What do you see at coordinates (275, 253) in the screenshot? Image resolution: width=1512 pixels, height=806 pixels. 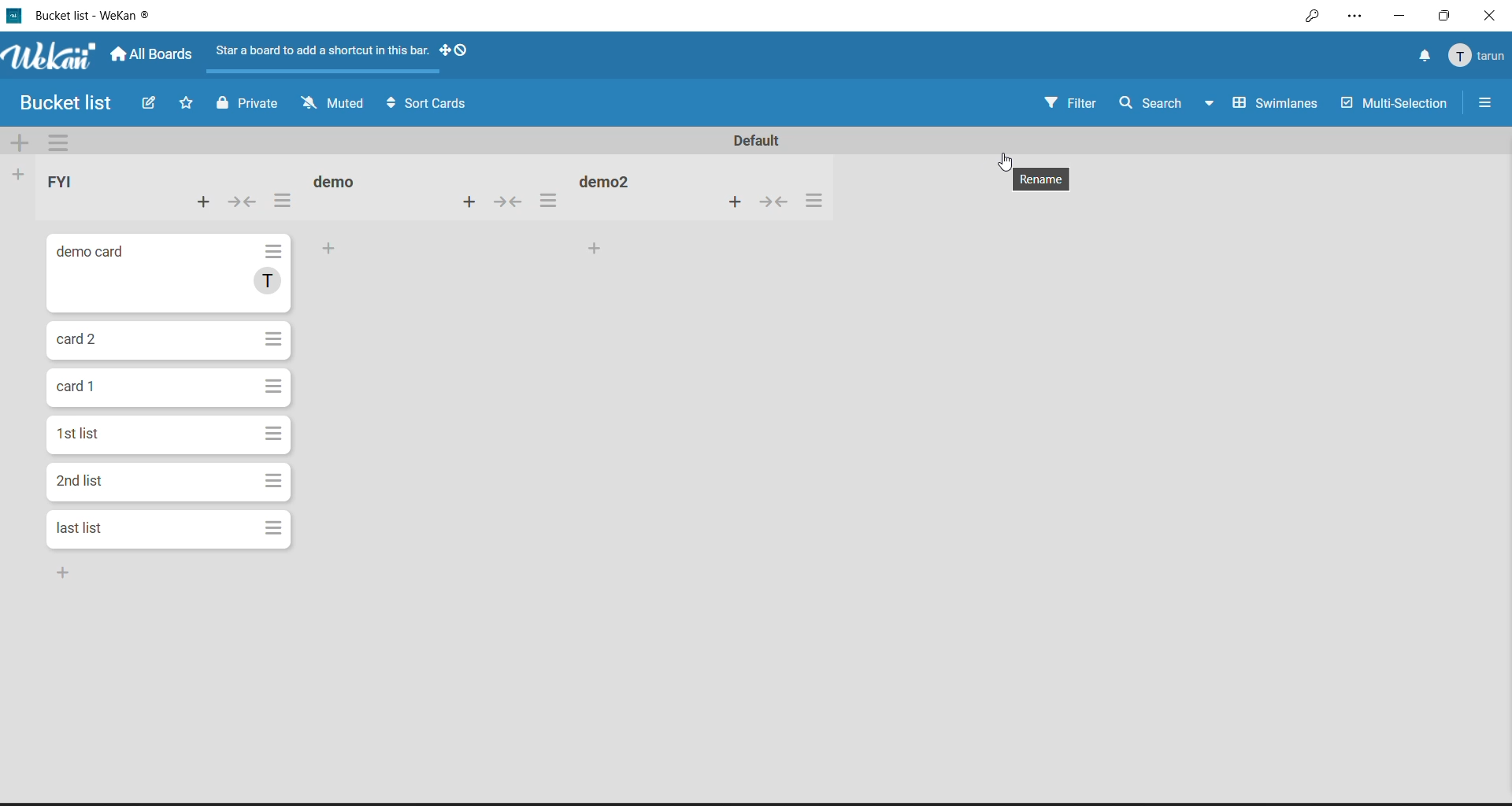 I see `card actions` at bounding box center [275, 253].